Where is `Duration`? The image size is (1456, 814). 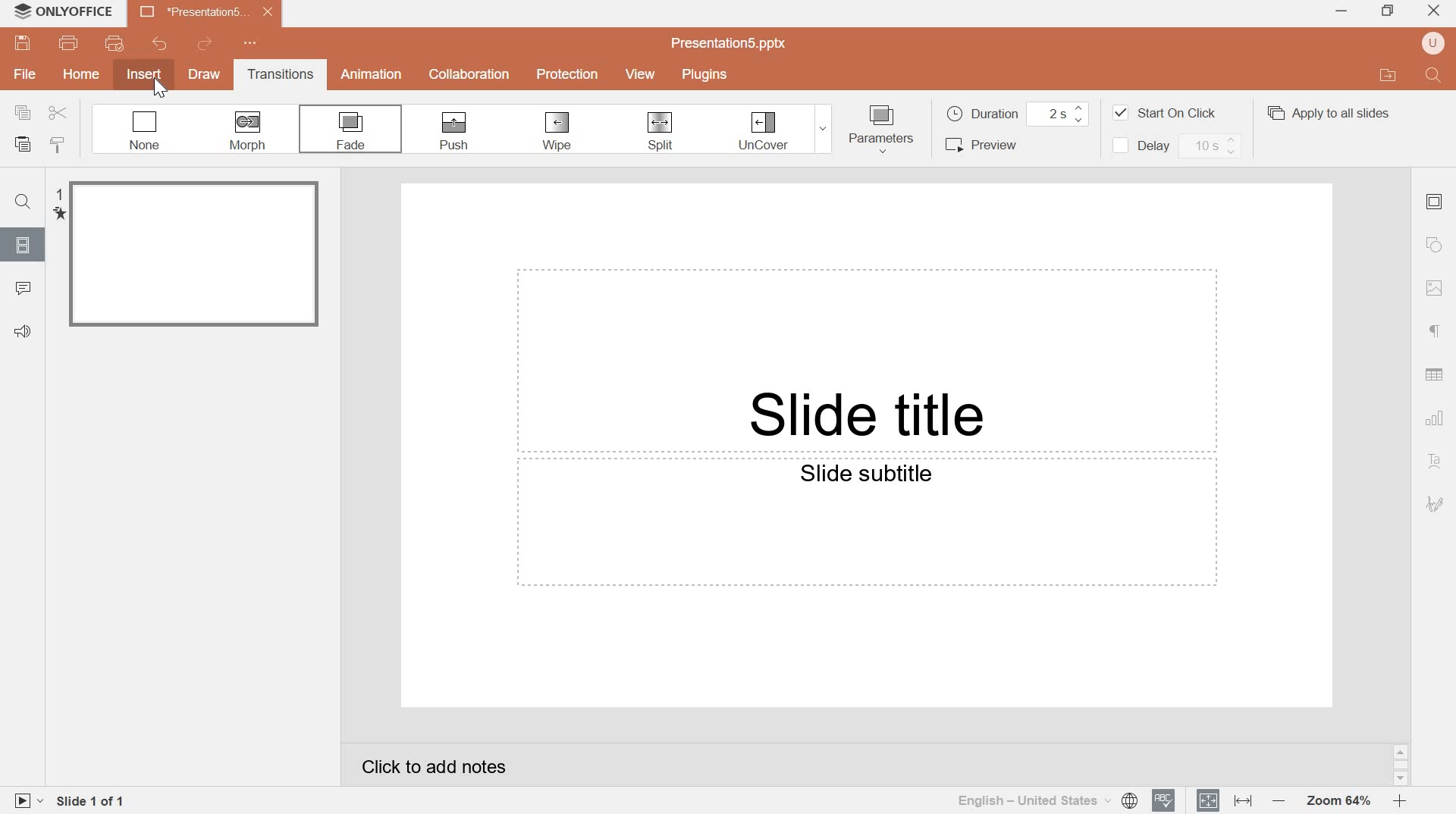 Duration is located at coordinates (1018, 114).